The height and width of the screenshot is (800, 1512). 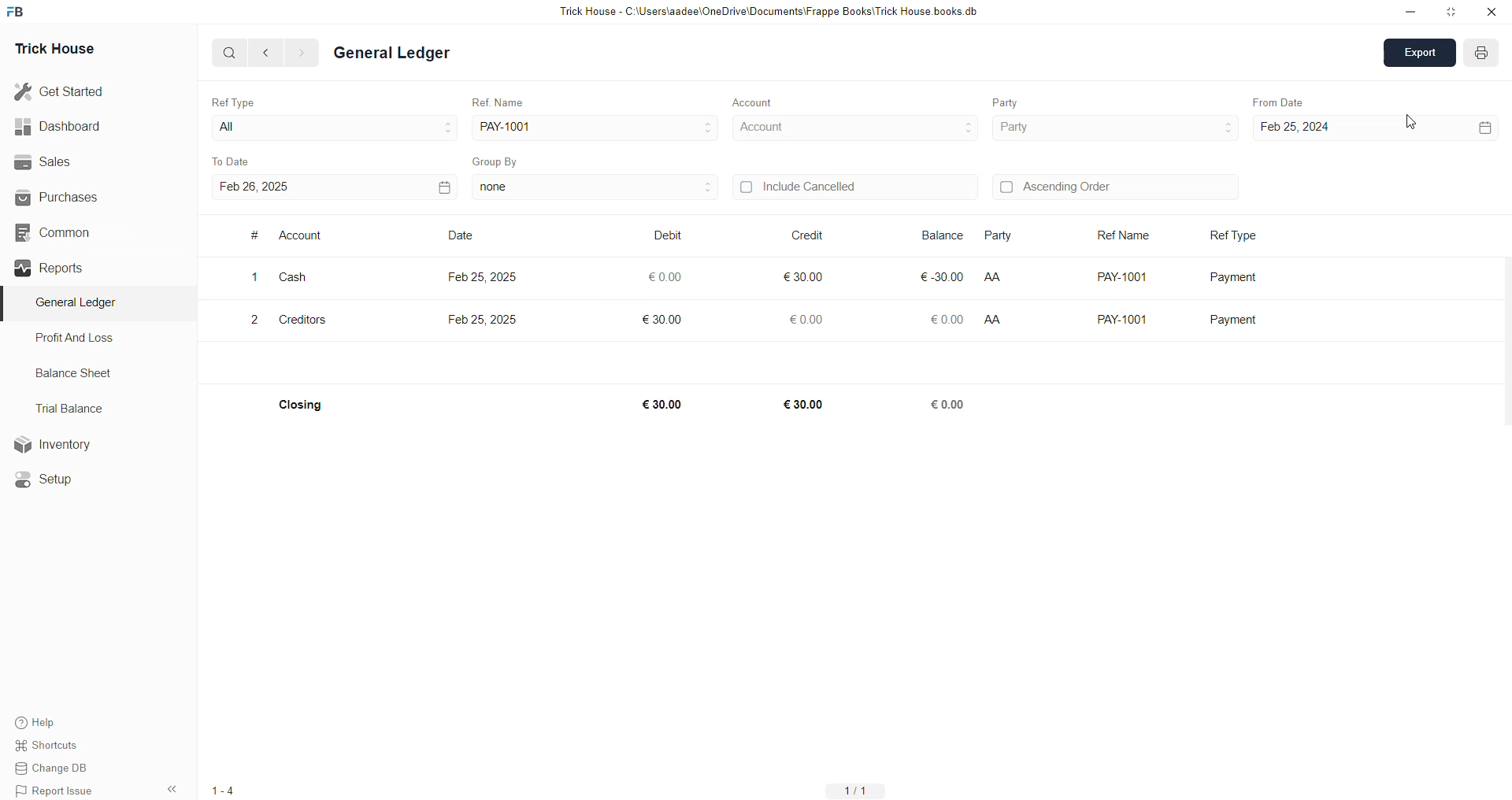 I want to click on €30.00, so click(x=805, y=405).